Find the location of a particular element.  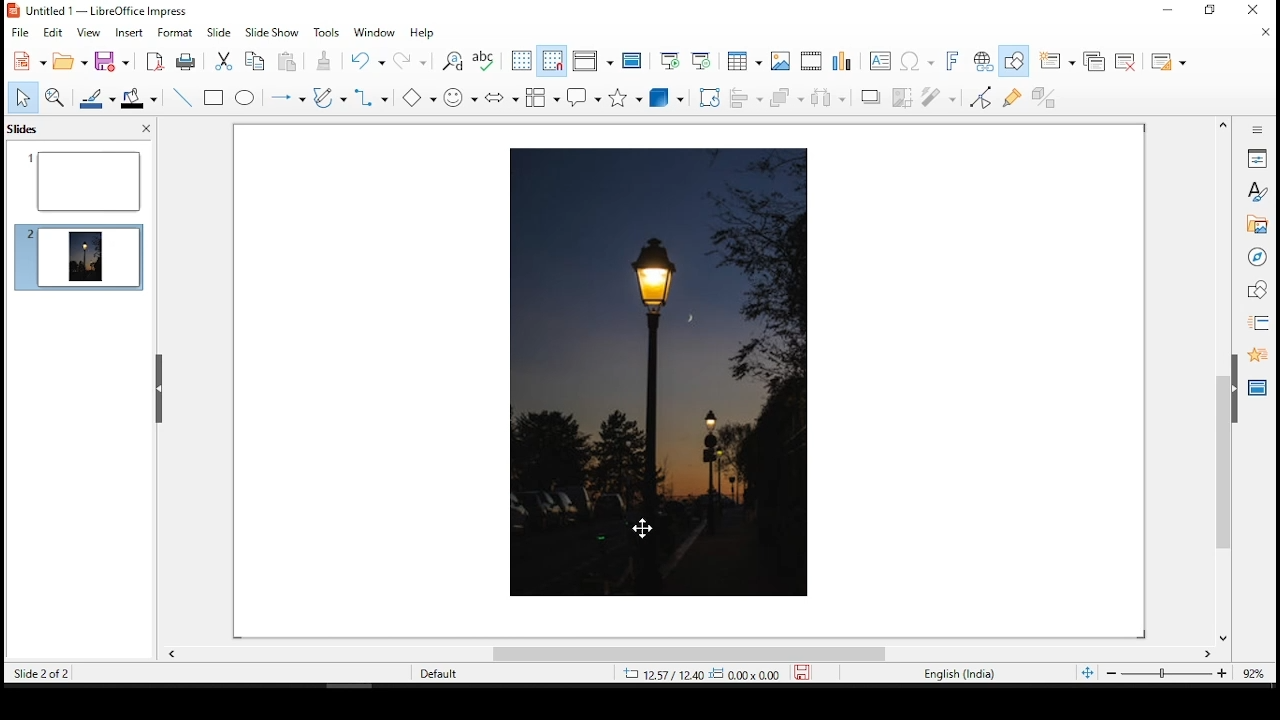

scroll bar is located at coordinates (686, 657).